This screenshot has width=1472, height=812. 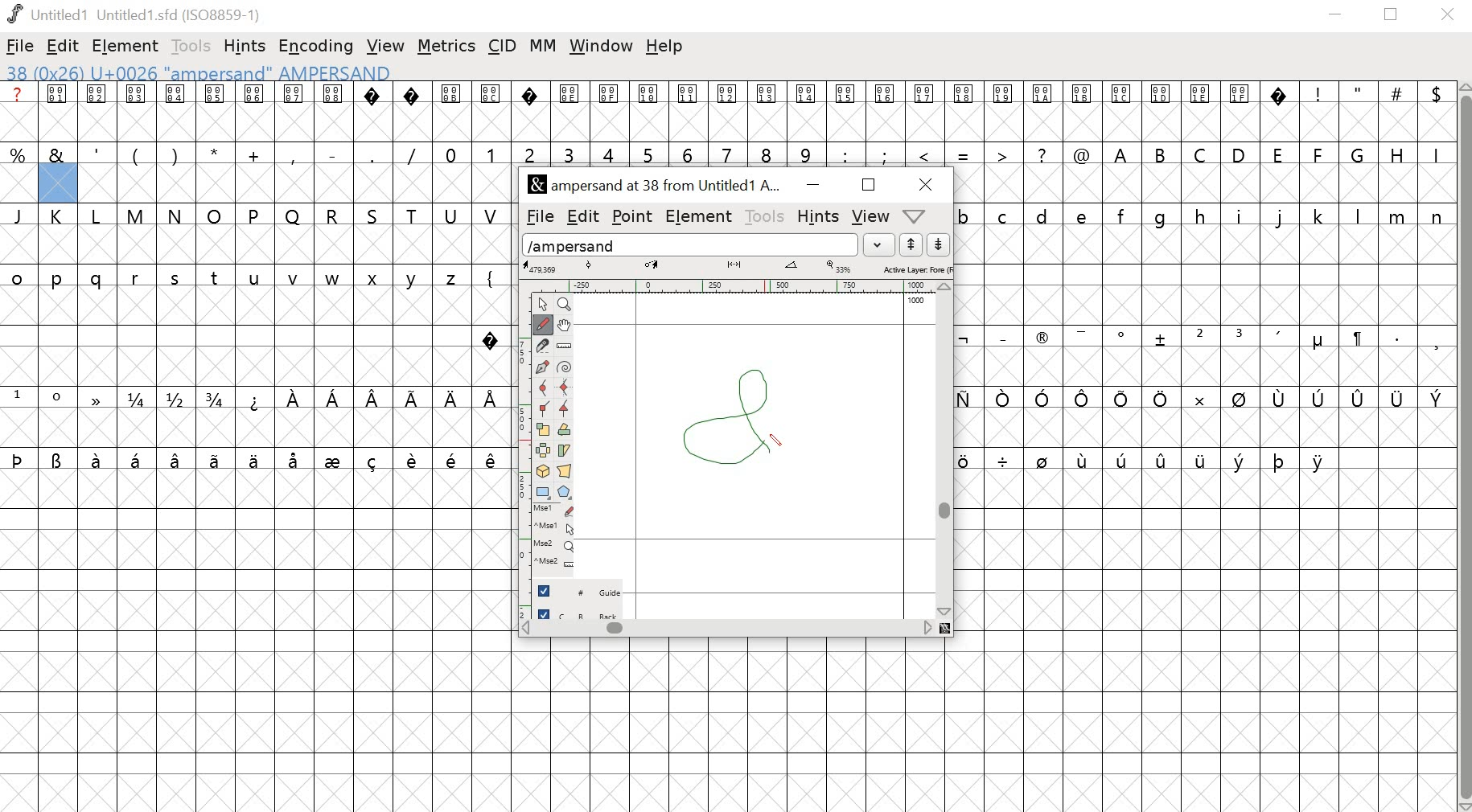 What do you see at coordinates (650, 109) in the screenshot?
I see `0010` at bounding box center [650, 109].